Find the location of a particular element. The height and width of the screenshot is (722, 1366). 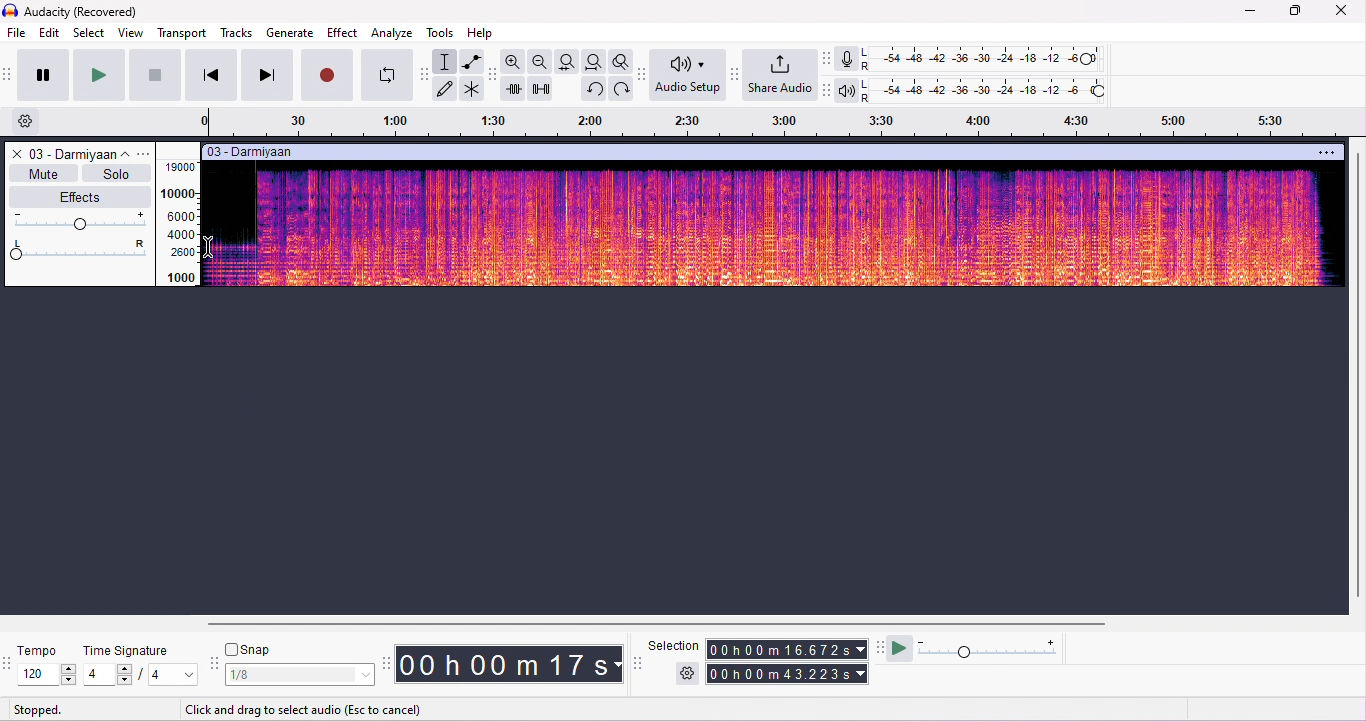

tempo tools is located at coordinates (9, 665).